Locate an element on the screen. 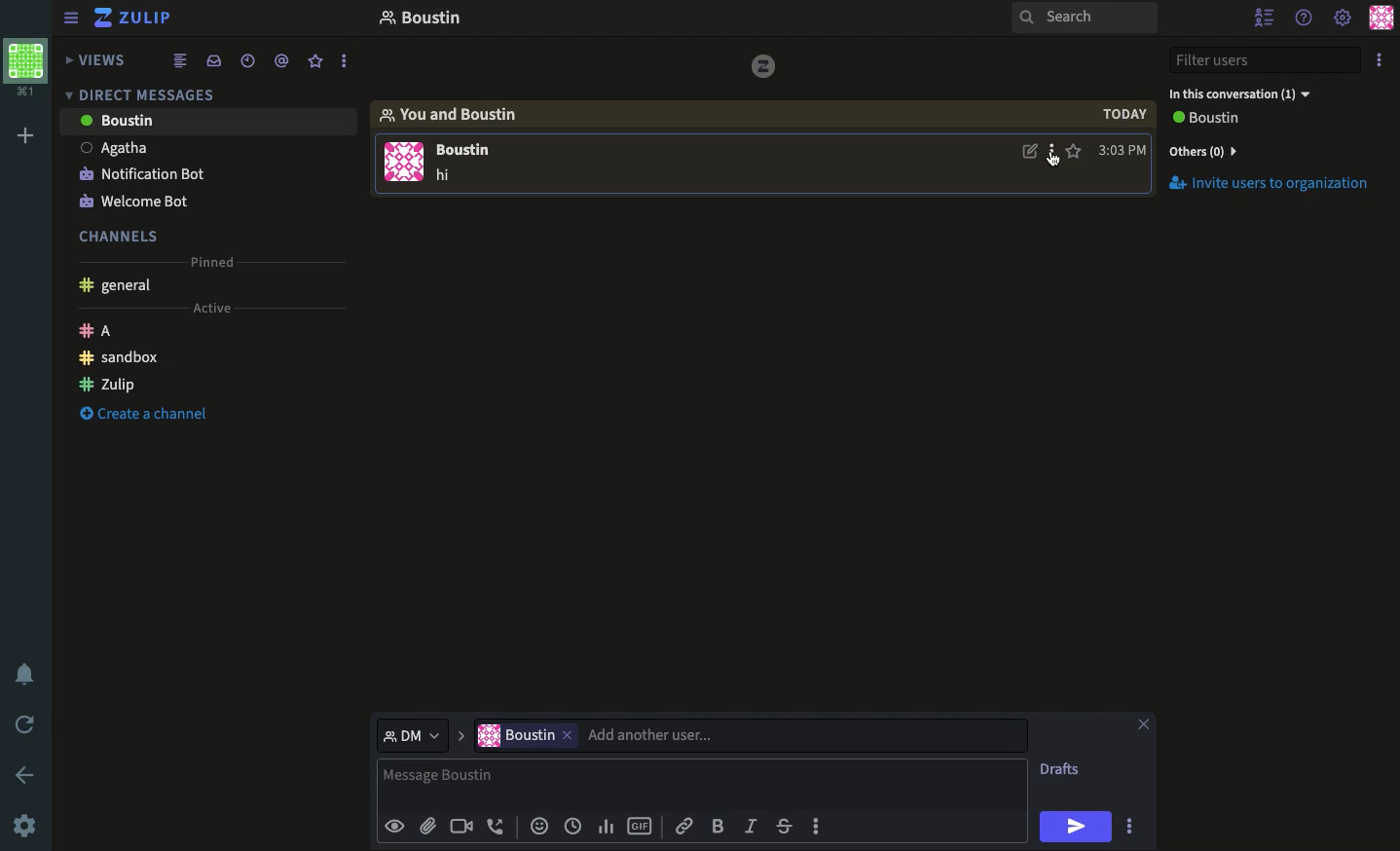 This screenshot has height=851, width=1400. User is located at coordinates (205, 145).